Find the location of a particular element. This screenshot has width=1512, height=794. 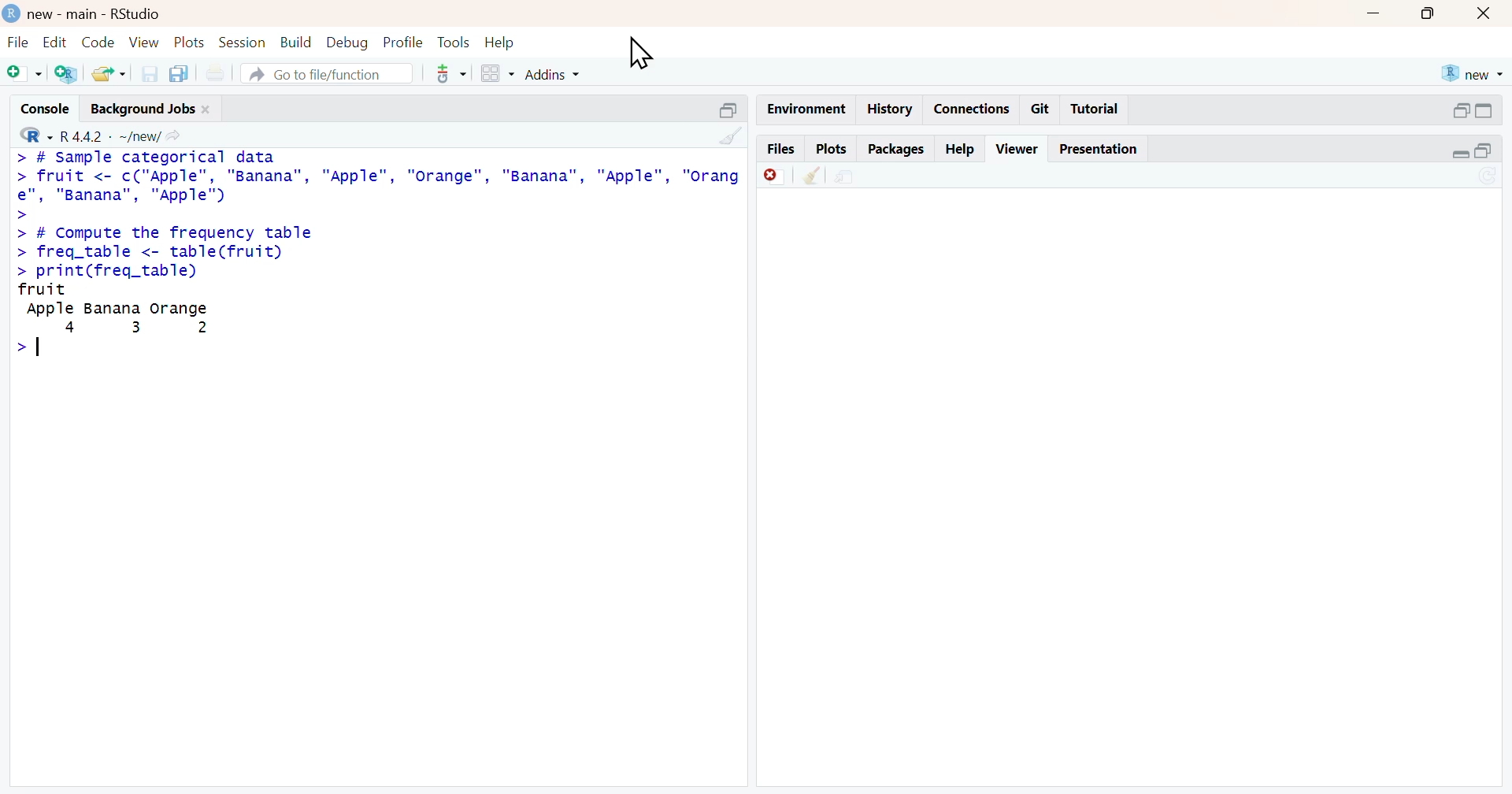

files is located at coordinates (782, 149).